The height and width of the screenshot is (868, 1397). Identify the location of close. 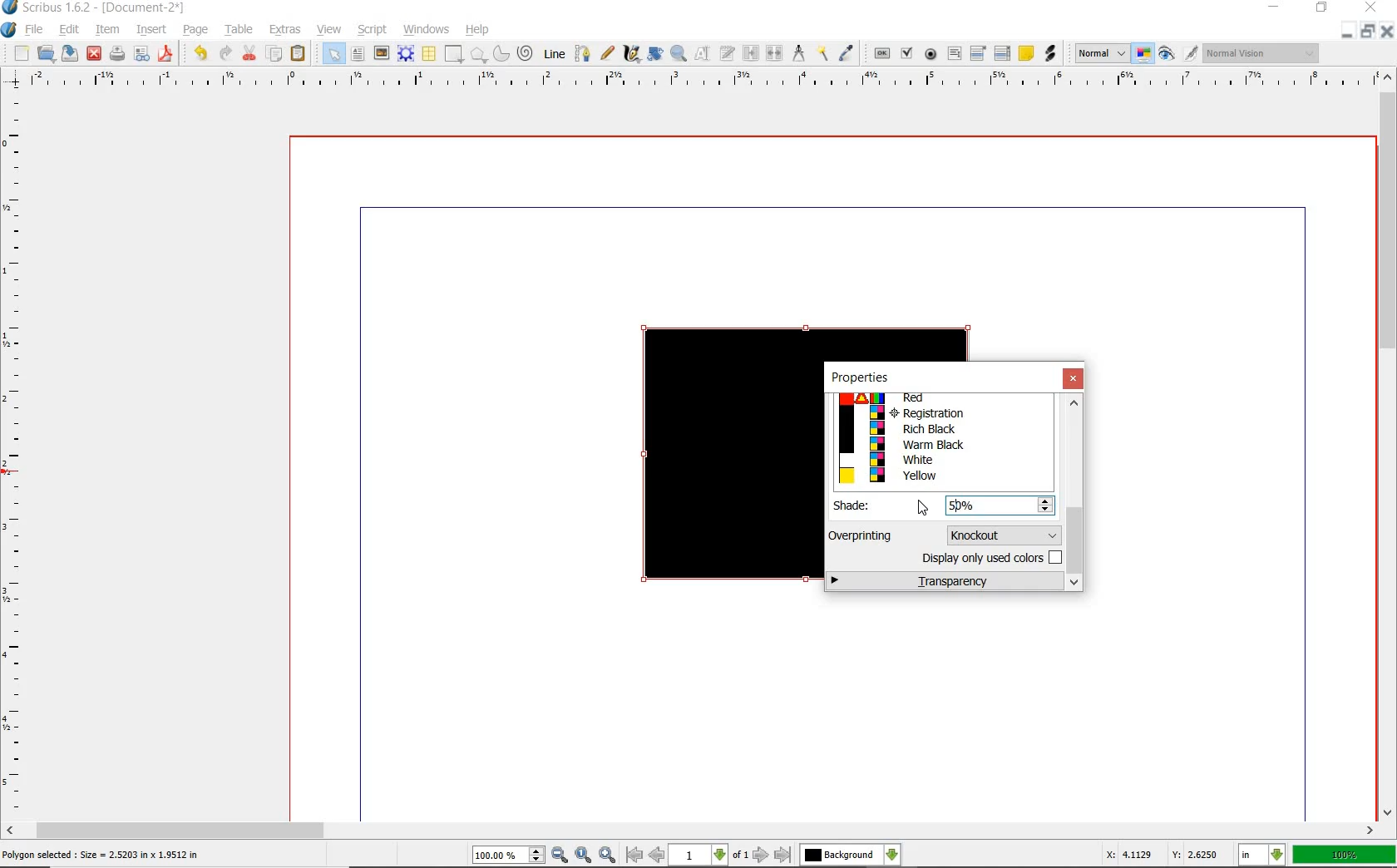
(93, 55).